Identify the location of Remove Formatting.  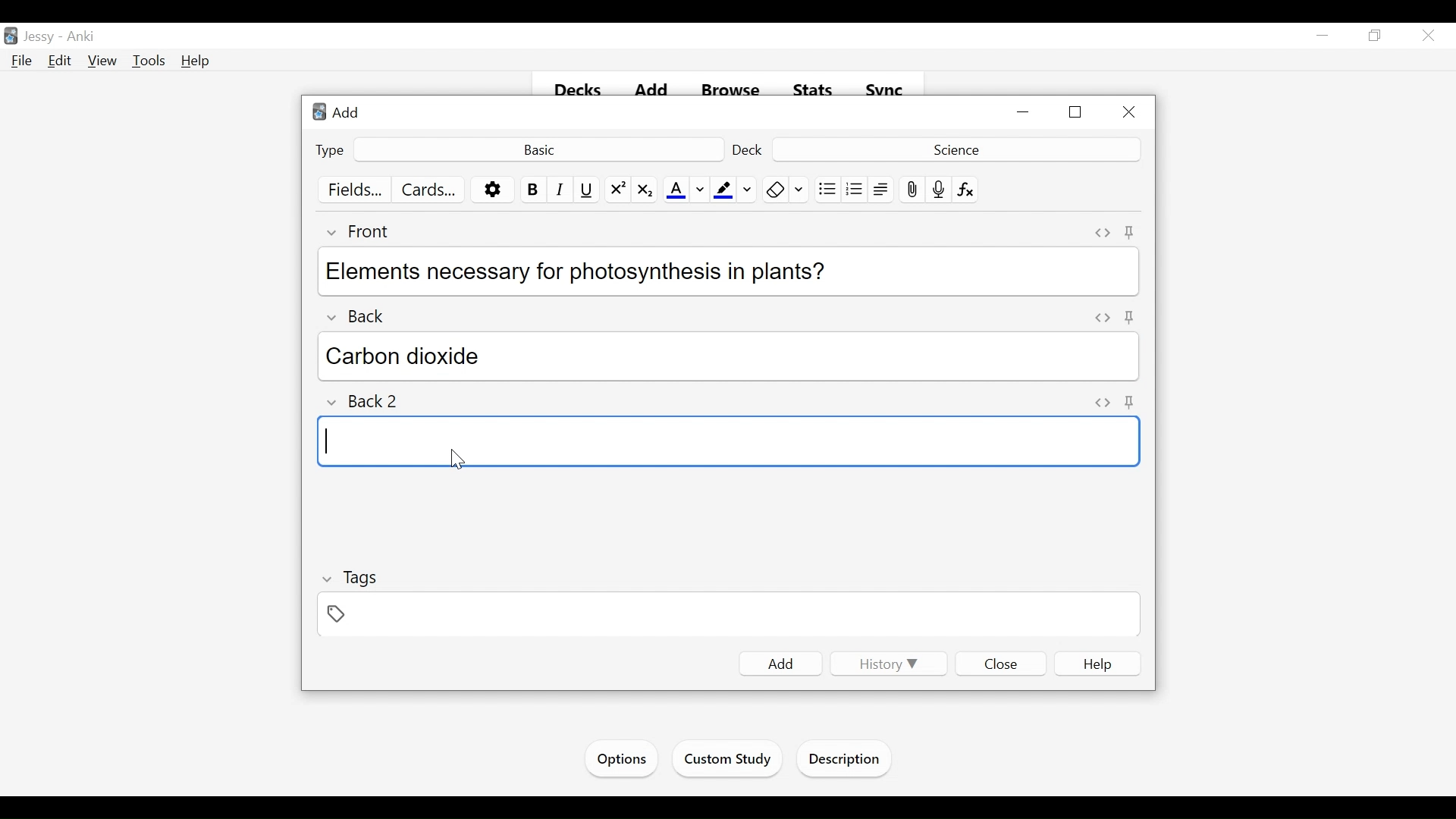
(775, 190).